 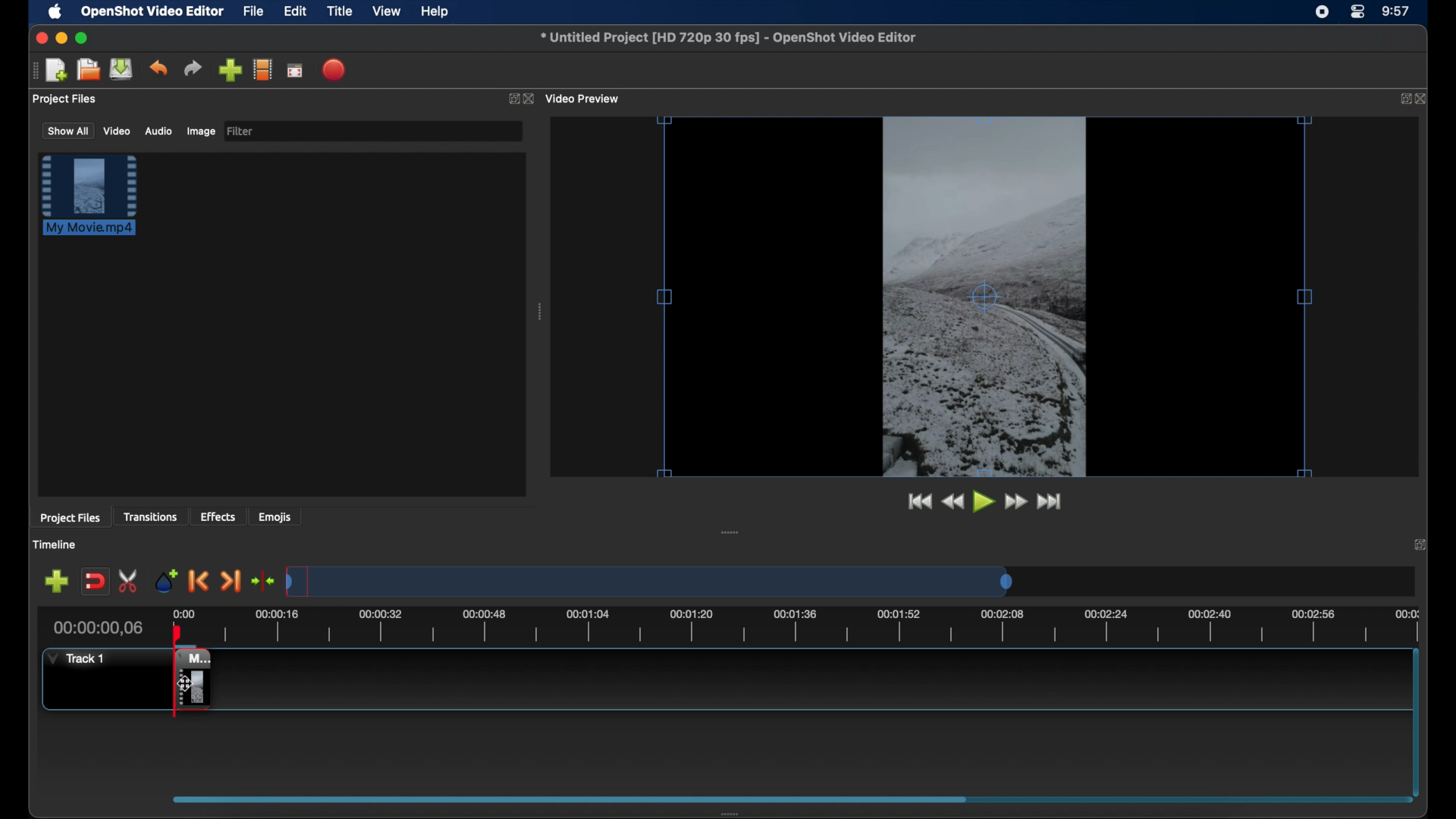 I want to click on close, so click(x=531, y=99).